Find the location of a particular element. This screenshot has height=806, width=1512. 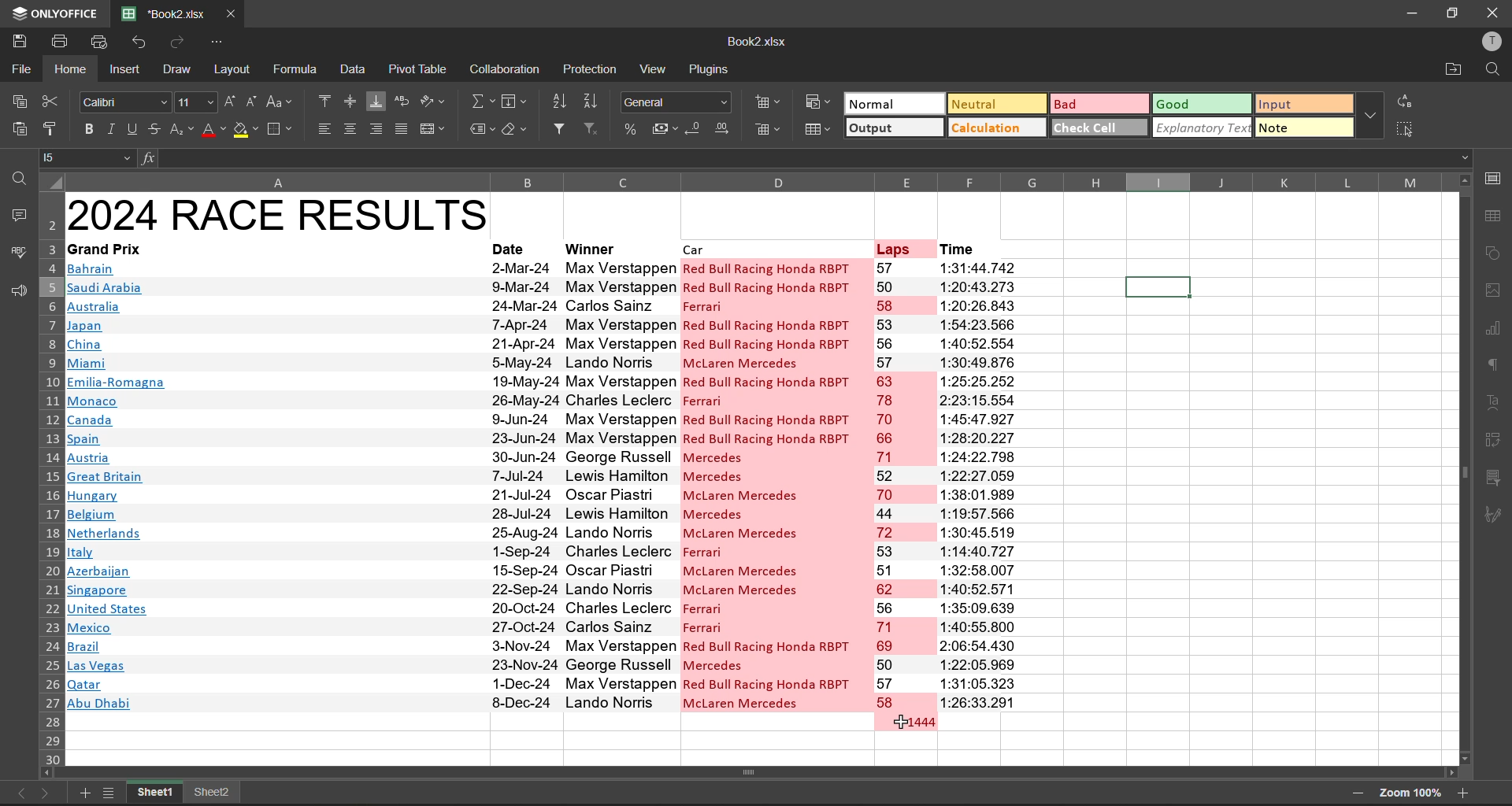

copy style is located at coordinates (51, 129).